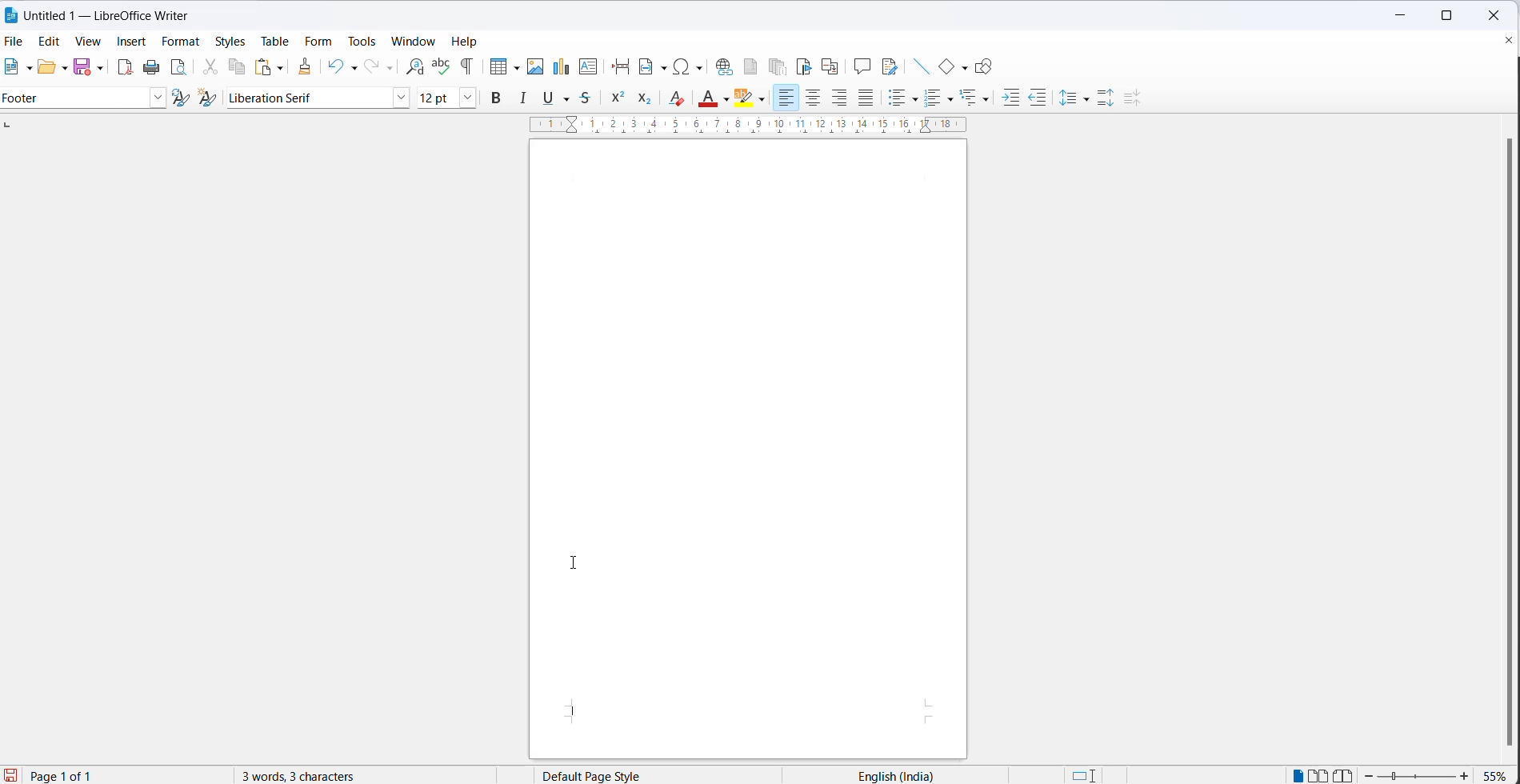 The width and height of the screenshot is (1520, 784). Describe the element at coordinates (212, 70) in the screenshot. I see `cut` at that location.